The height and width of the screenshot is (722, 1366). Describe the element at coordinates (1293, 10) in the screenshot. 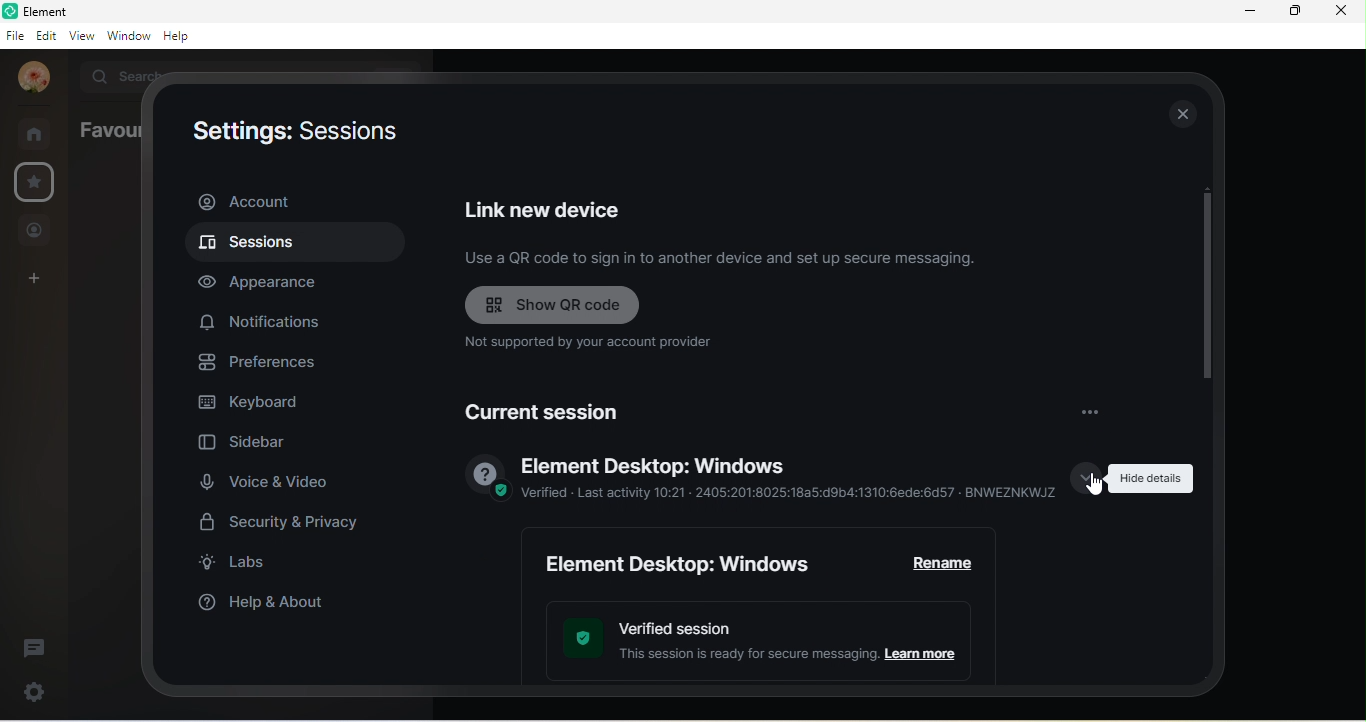

I see `maximize` at that location.